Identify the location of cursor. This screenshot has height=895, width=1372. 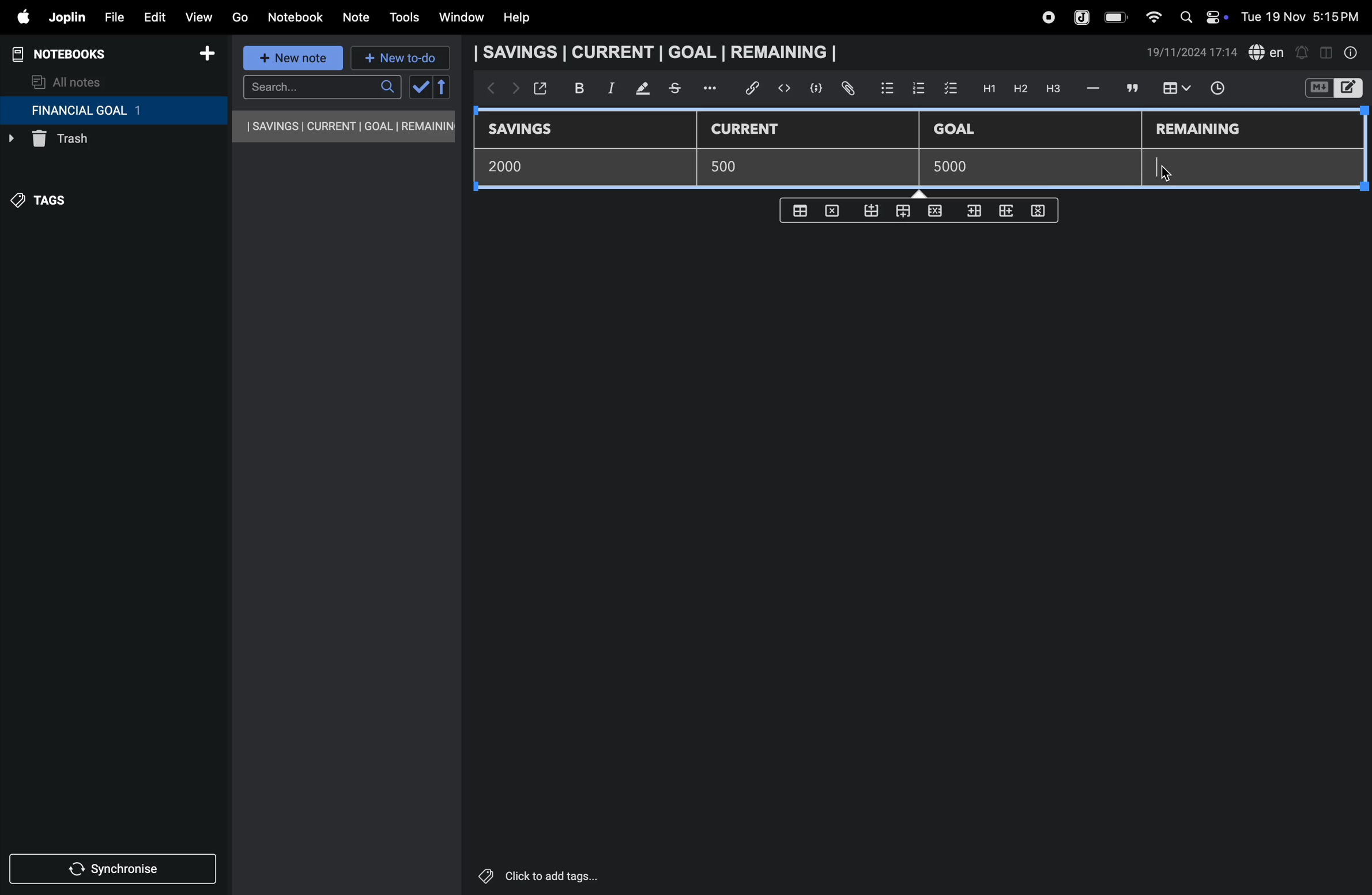
(1173, 170).